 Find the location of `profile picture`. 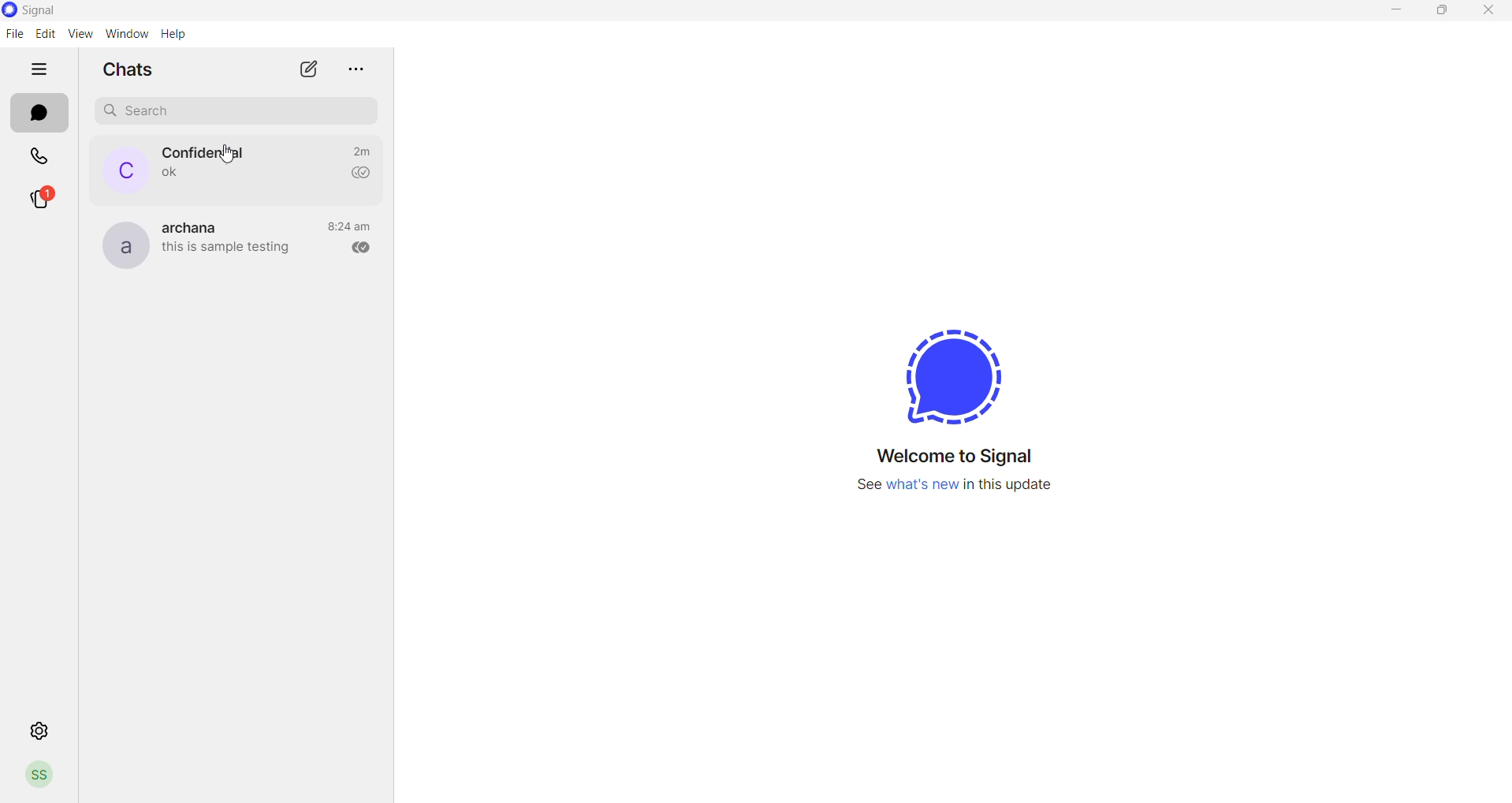

profile picture is located at coordinates (116, 170).